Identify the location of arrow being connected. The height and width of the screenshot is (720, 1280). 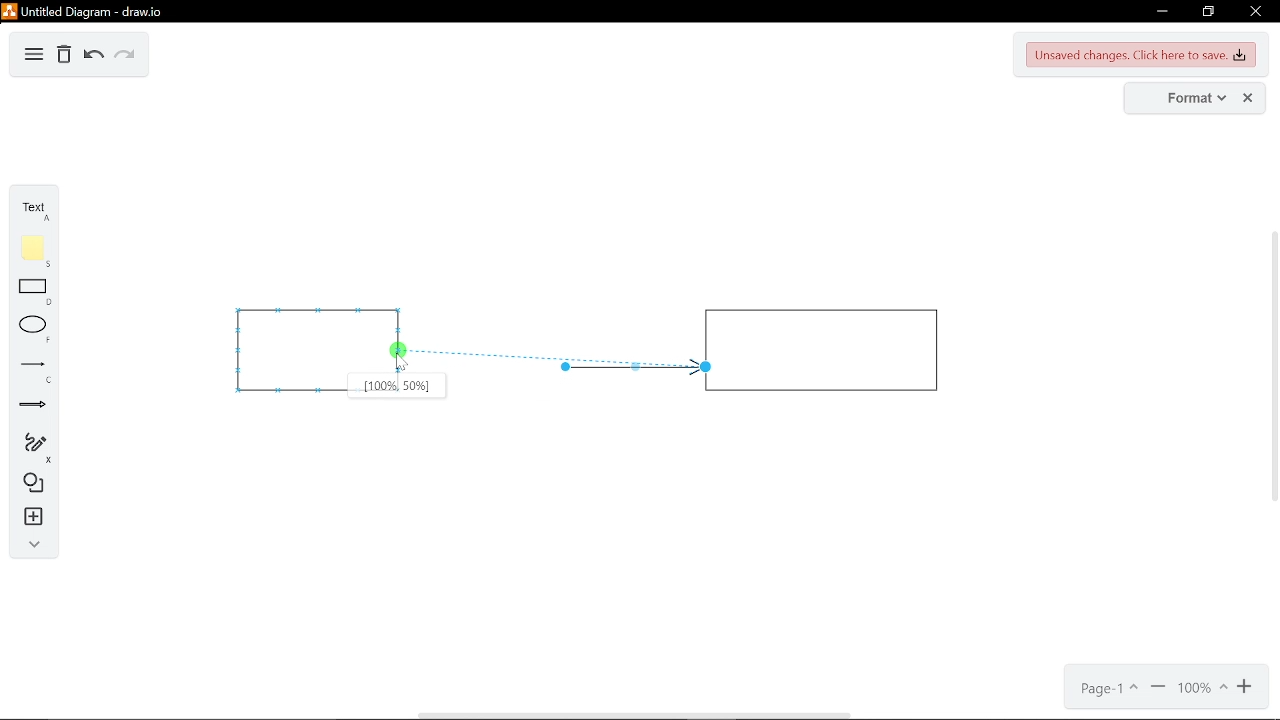
(473, 352).